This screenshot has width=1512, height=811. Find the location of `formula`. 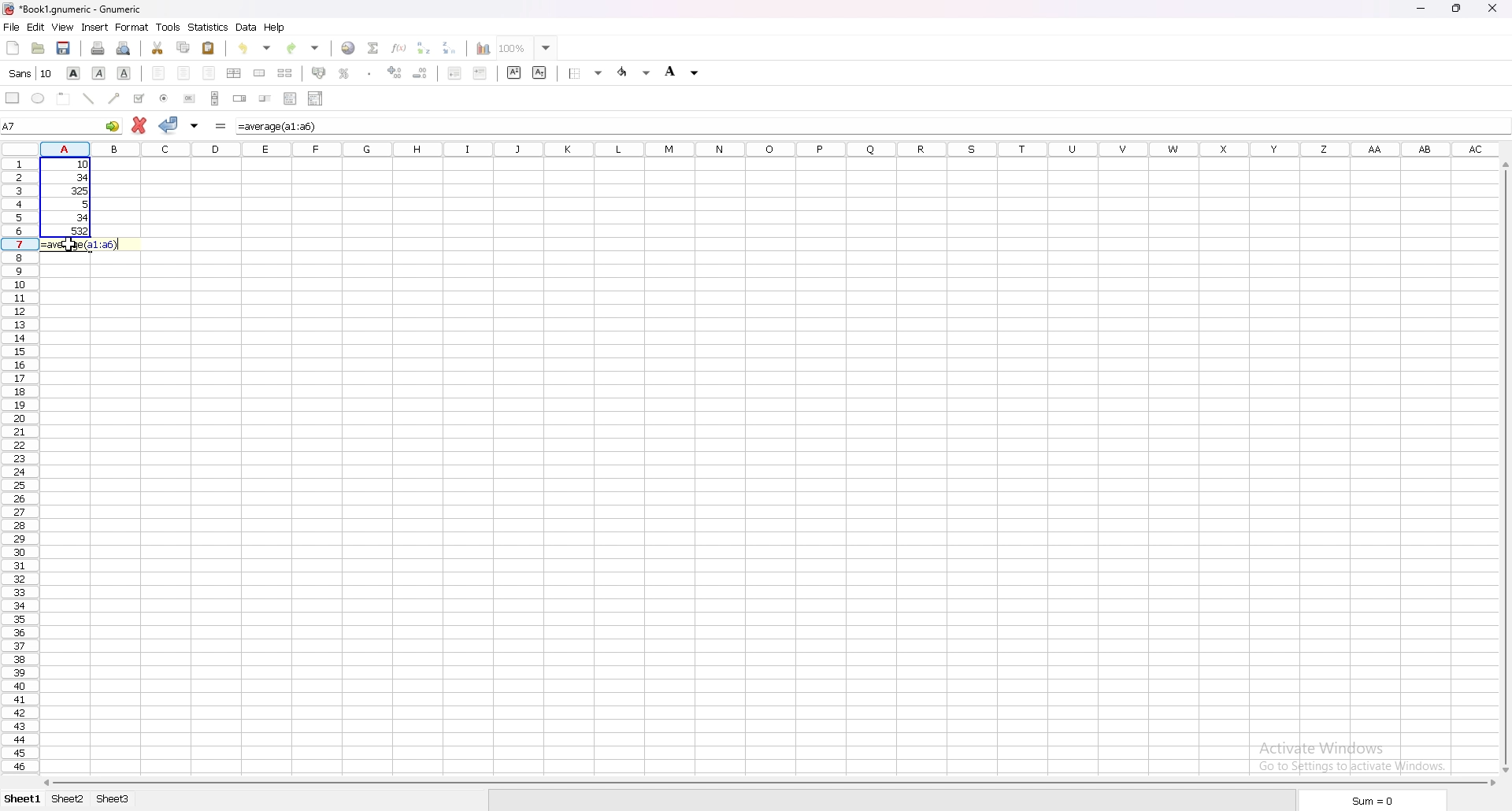

formula is located at coordinates (220, 125).